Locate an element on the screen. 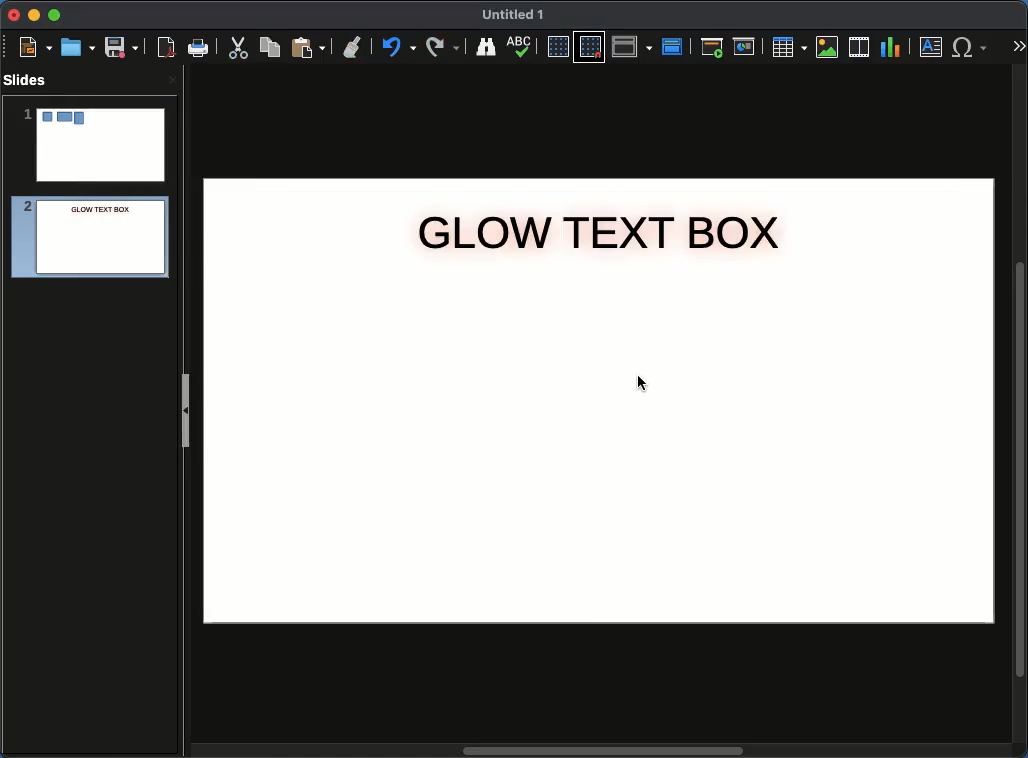 The image size is (1028, 758). Display grid is located at coordinates (557, 48).